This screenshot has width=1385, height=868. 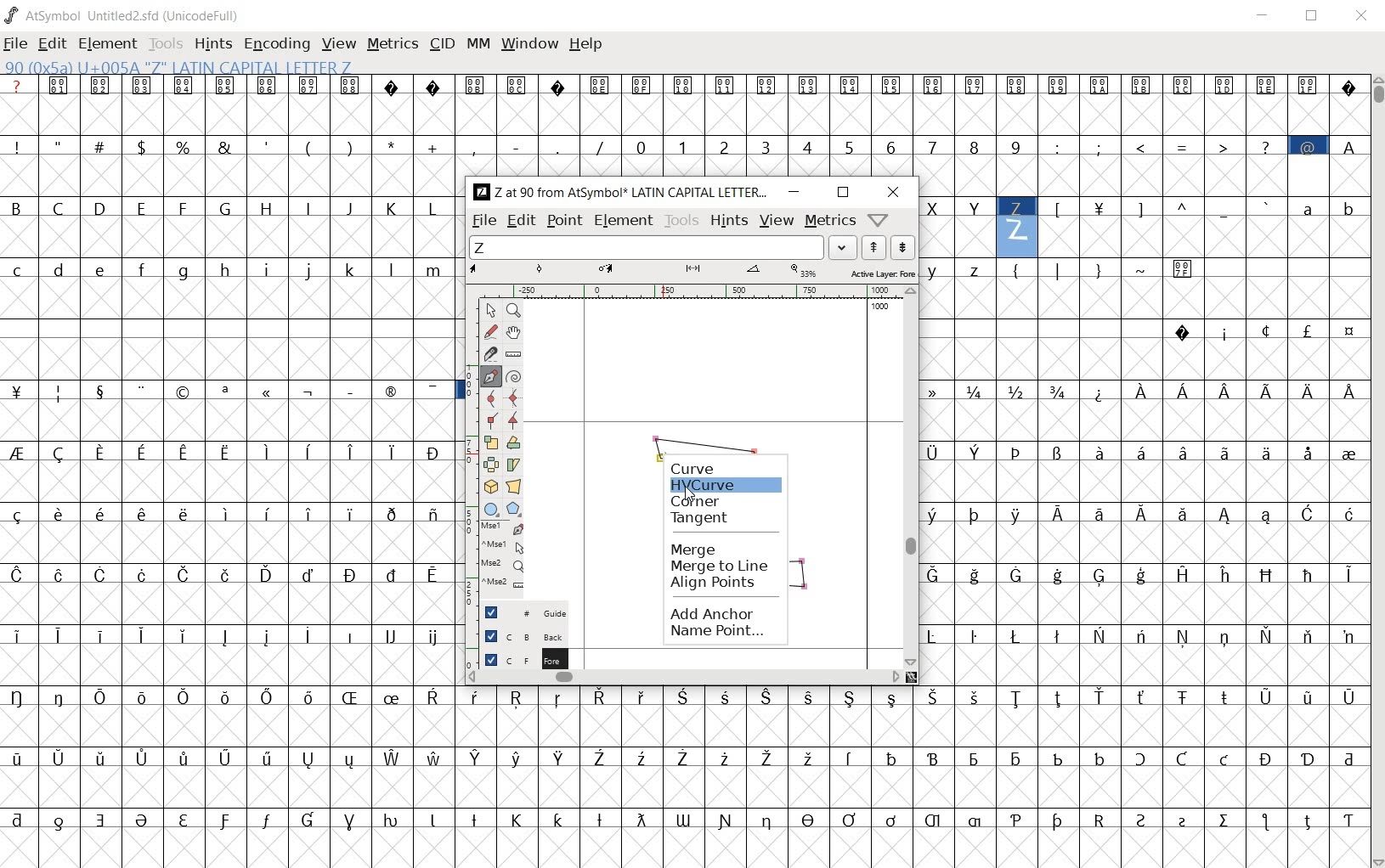 I want to click on ruler, so click(x=704, y=290).